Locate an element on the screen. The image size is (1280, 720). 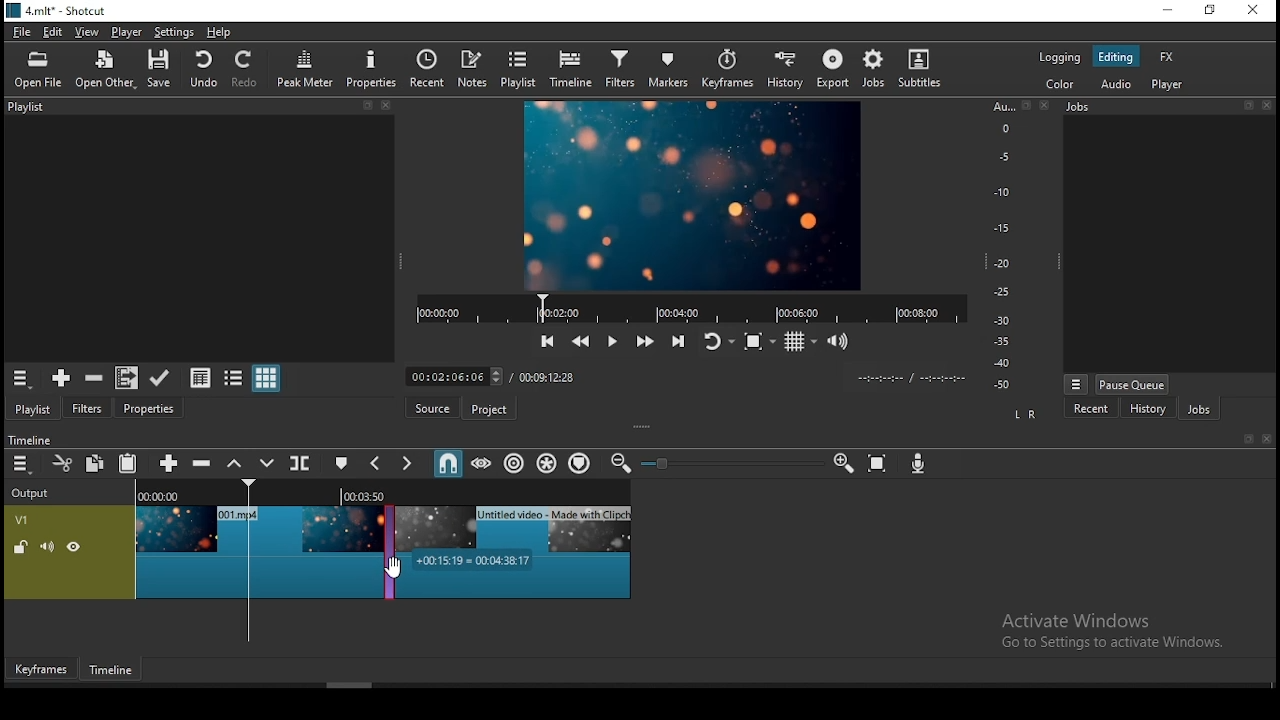
view as list is located at coordinates (235, 377).